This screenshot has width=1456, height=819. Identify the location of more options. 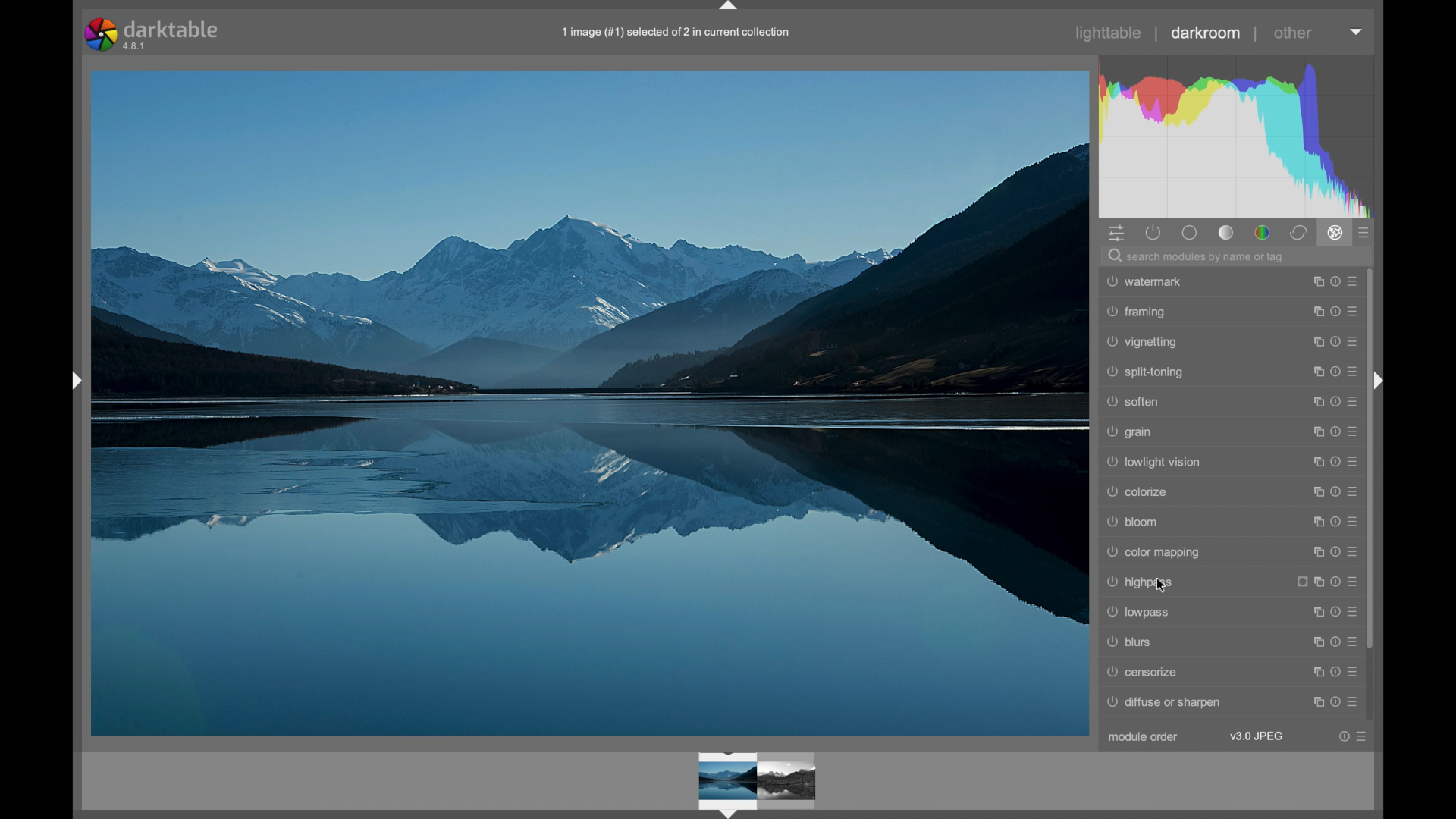
(1335, 462).